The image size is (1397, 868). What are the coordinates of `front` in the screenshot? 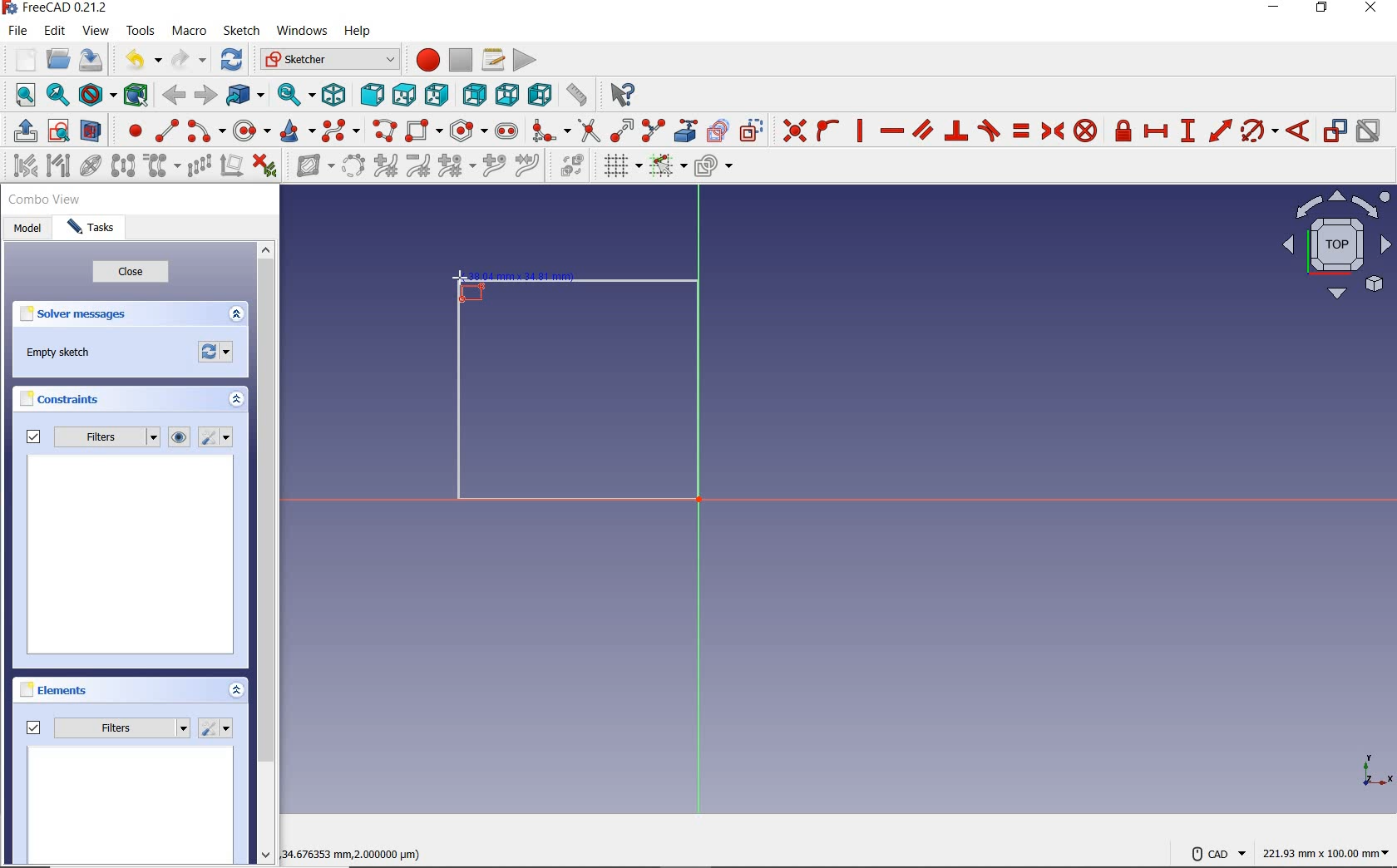 It's located at (372, 96).